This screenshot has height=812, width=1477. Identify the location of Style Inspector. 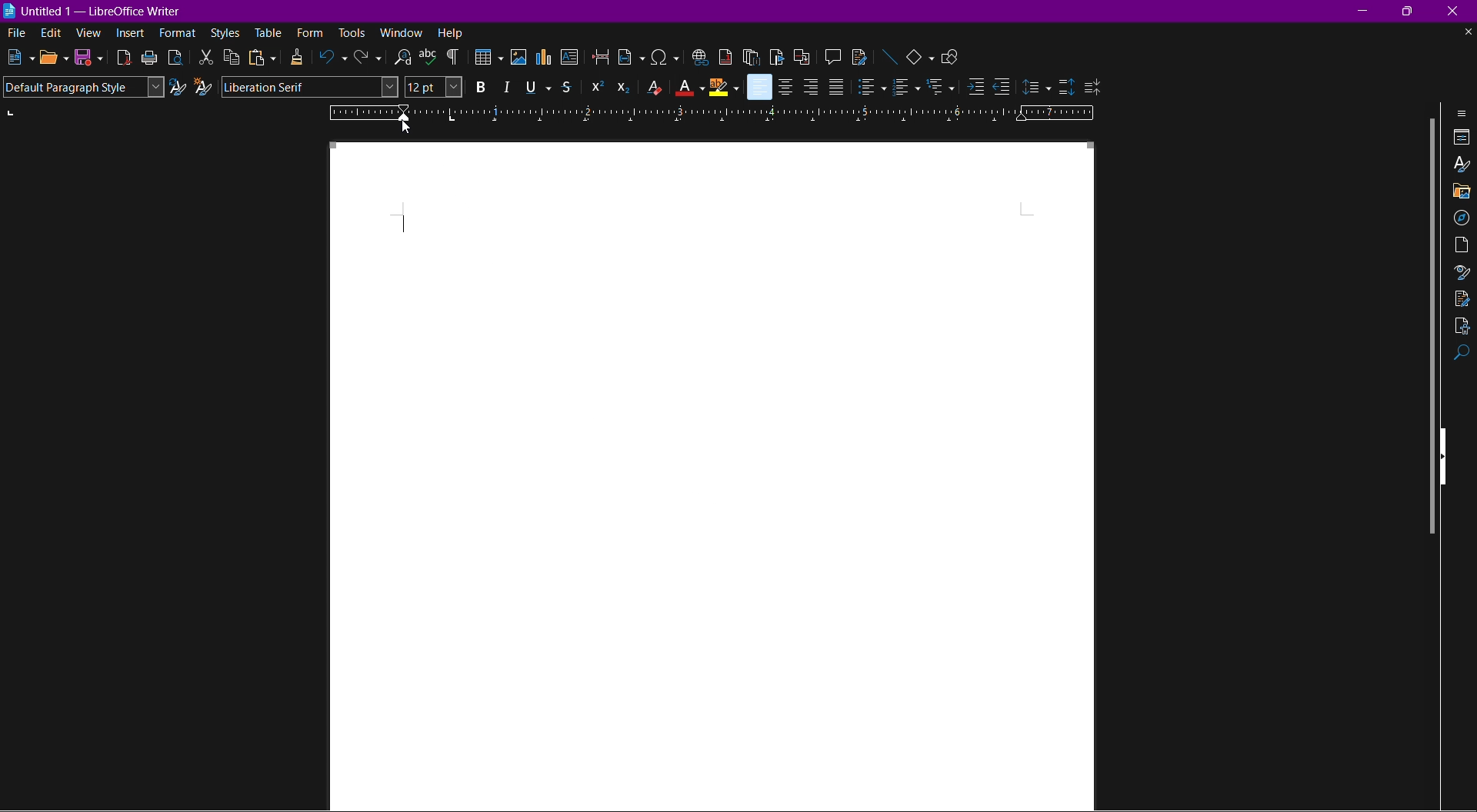
(1460, 273).